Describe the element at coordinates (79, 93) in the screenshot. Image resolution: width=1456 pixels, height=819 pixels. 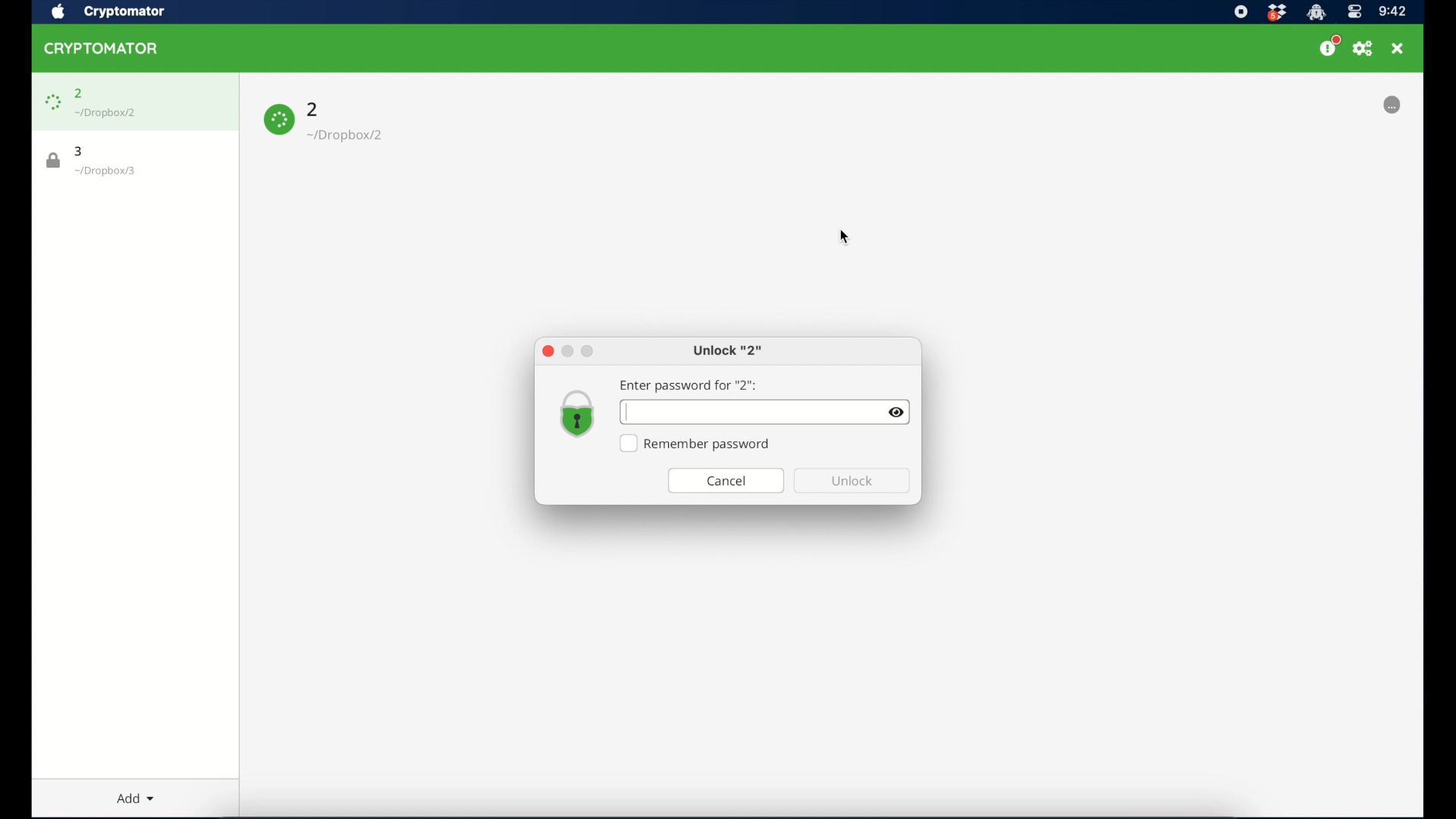
I see `2` at that location.